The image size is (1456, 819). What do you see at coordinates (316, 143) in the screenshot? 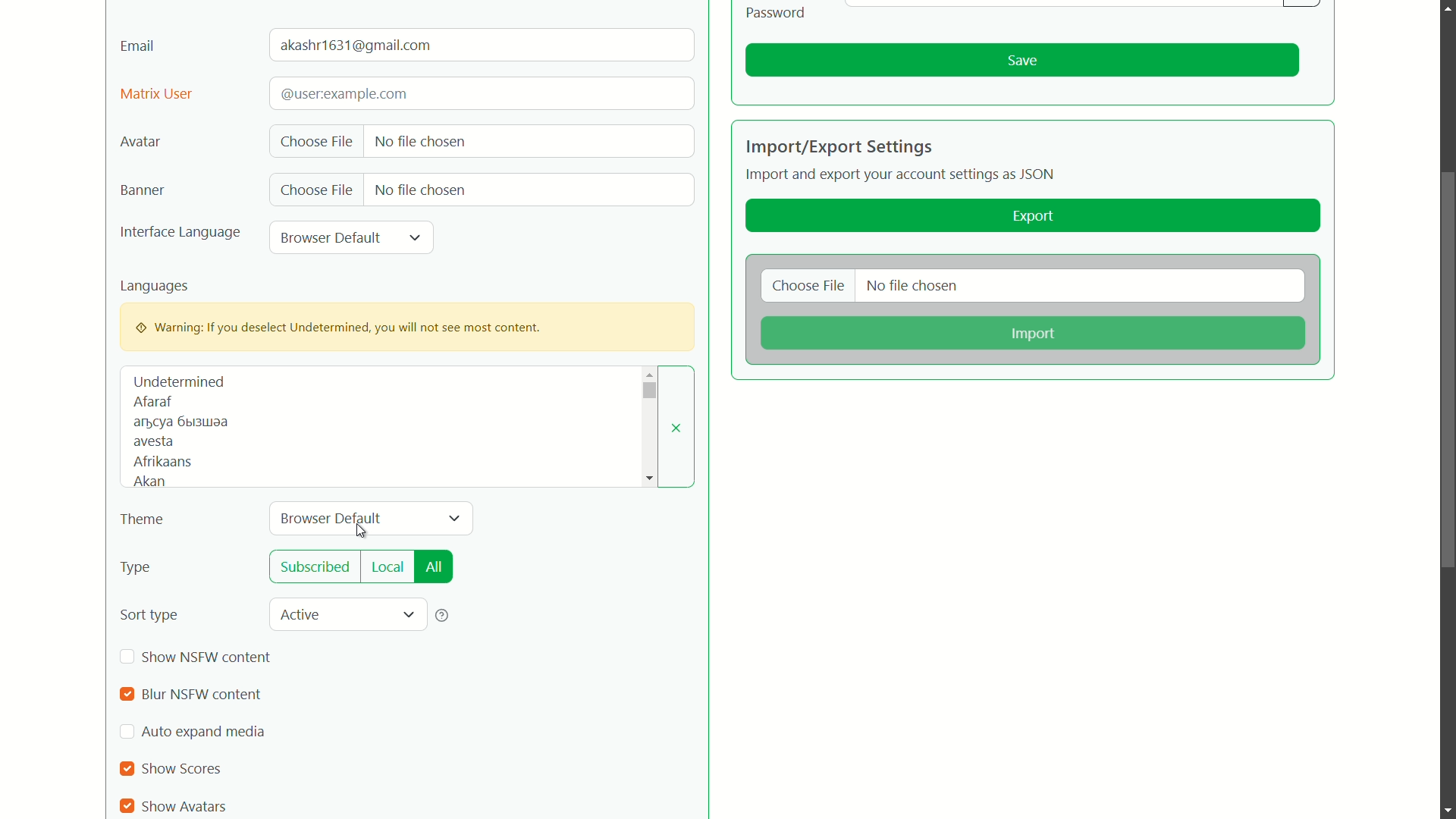
I see `choose file` at bounding box center [316, 143].